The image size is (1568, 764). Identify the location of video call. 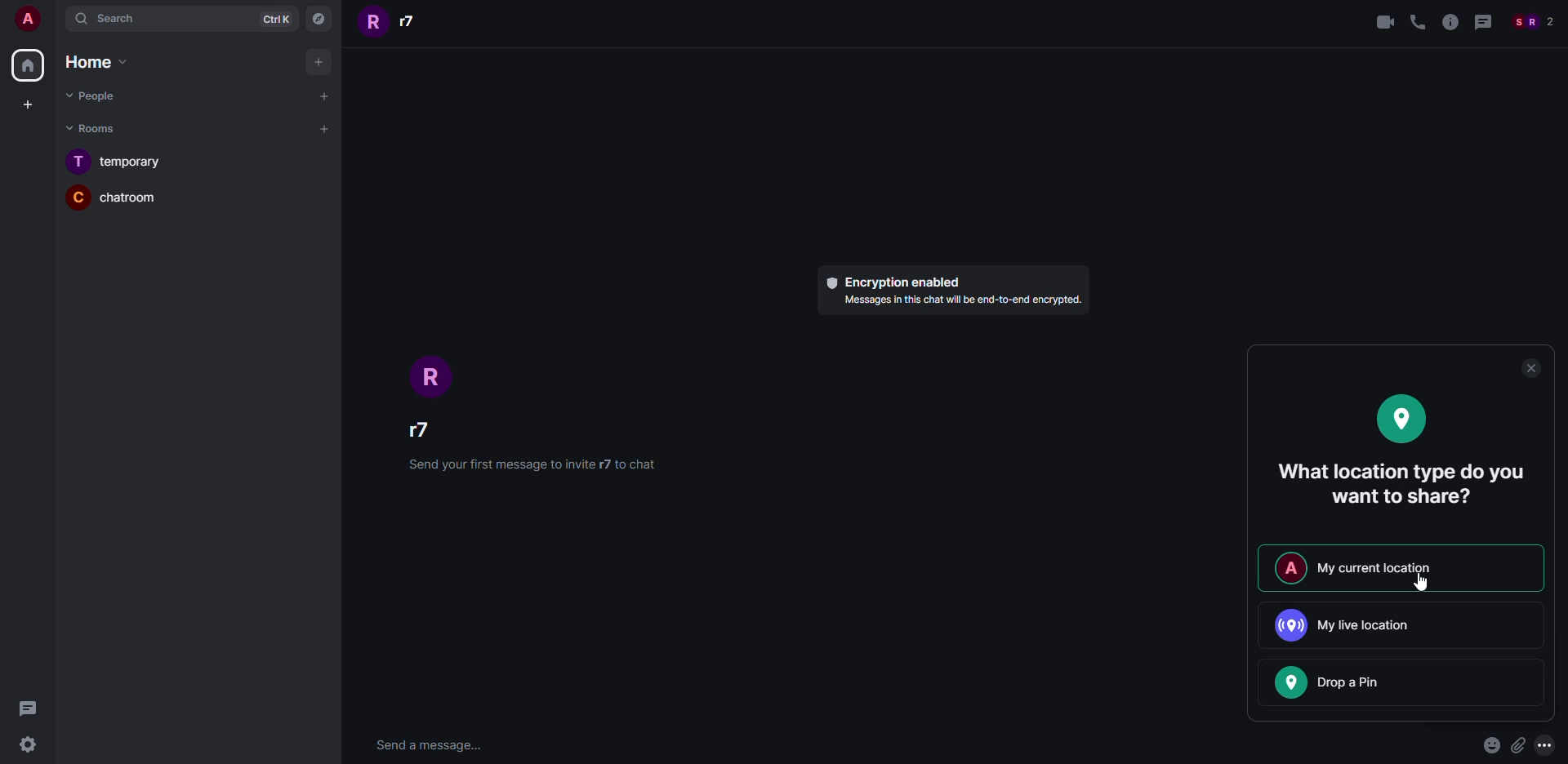
(1384, 23).